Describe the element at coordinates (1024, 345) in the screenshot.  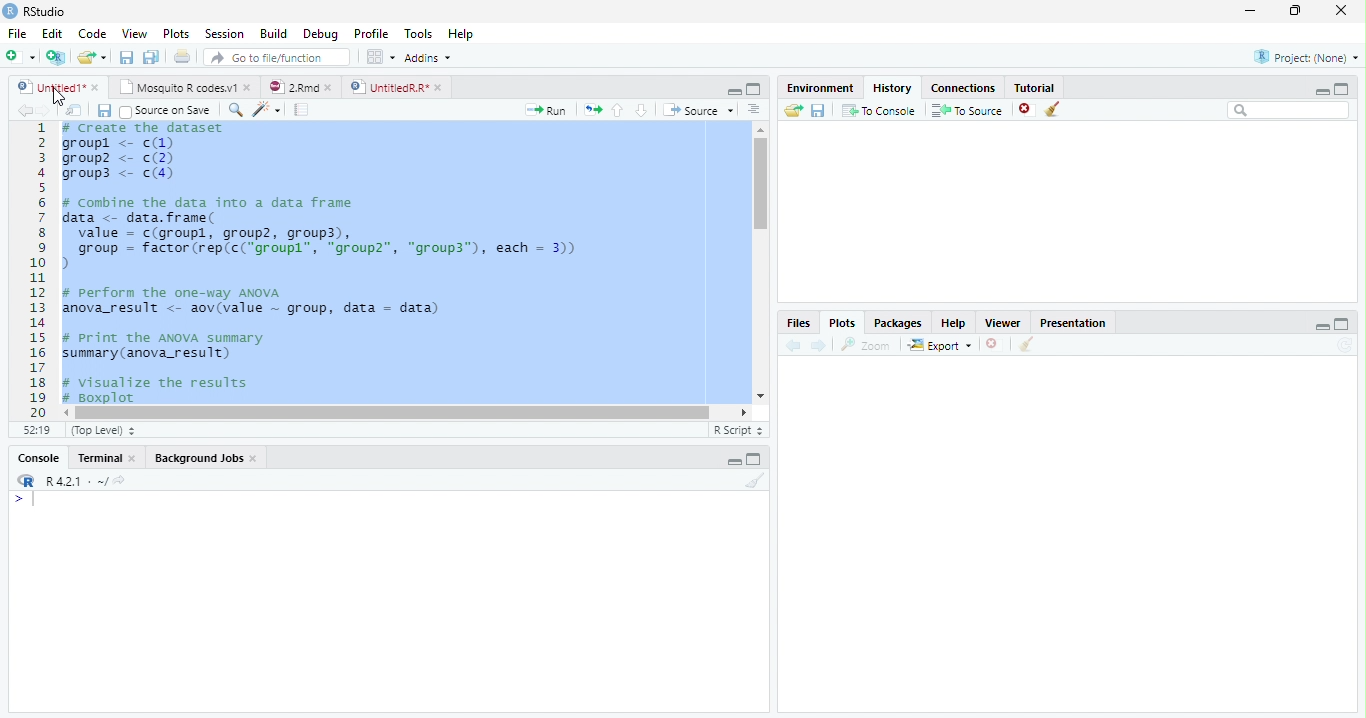
I see `Clear Console` at that location.